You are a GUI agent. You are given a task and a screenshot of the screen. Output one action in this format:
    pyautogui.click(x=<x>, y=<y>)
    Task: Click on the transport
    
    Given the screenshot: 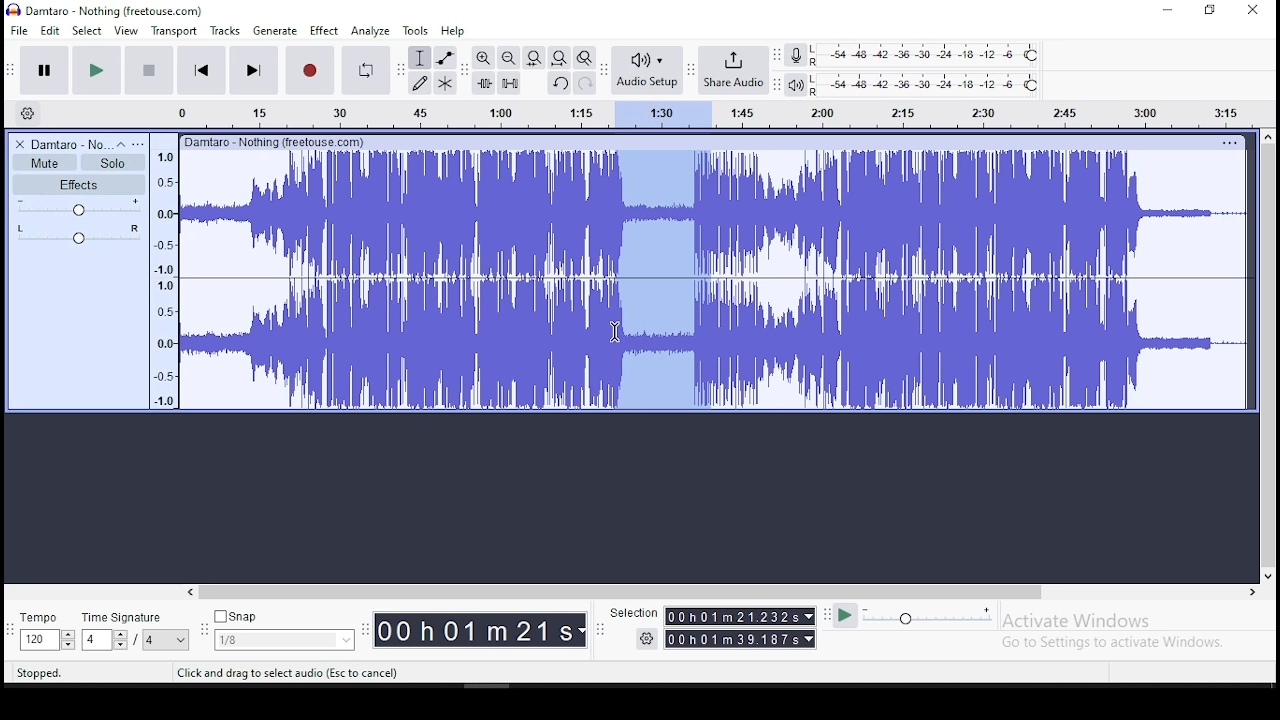 What is the action you would take?
    pyautogui.click(x=174, y=31)
    